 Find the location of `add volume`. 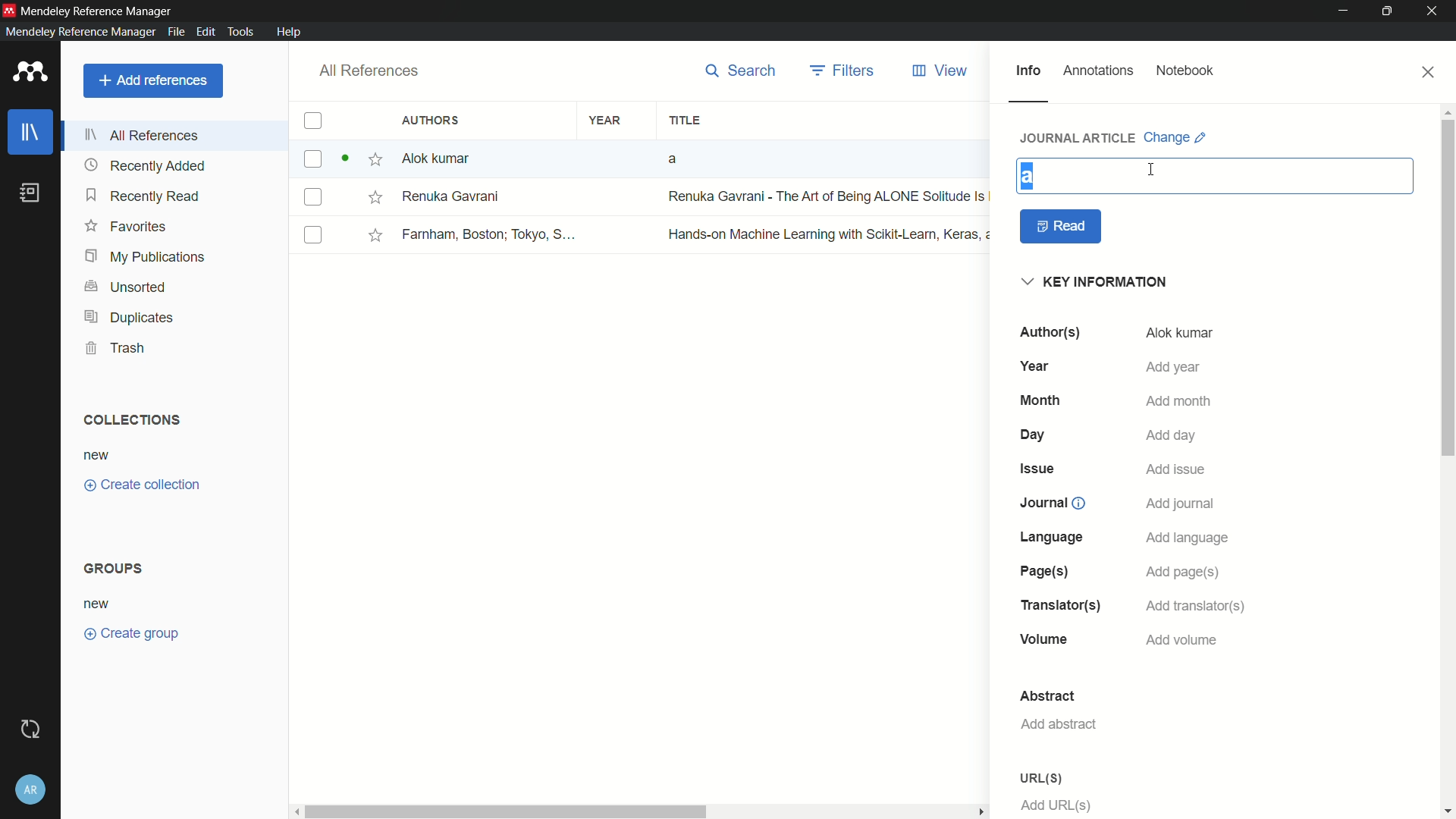

add volume is located at coordinates (1182, 640).